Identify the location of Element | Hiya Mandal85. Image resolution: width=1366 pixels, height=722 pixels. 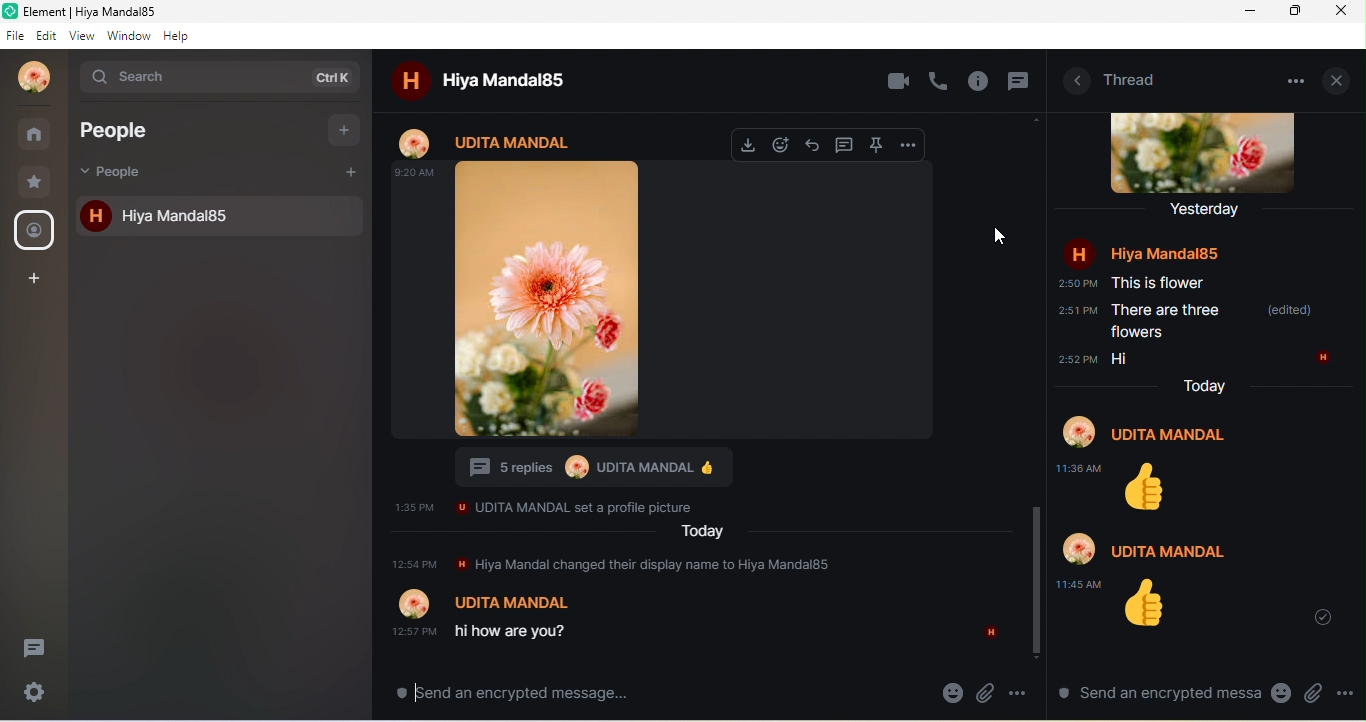
(134, 12).